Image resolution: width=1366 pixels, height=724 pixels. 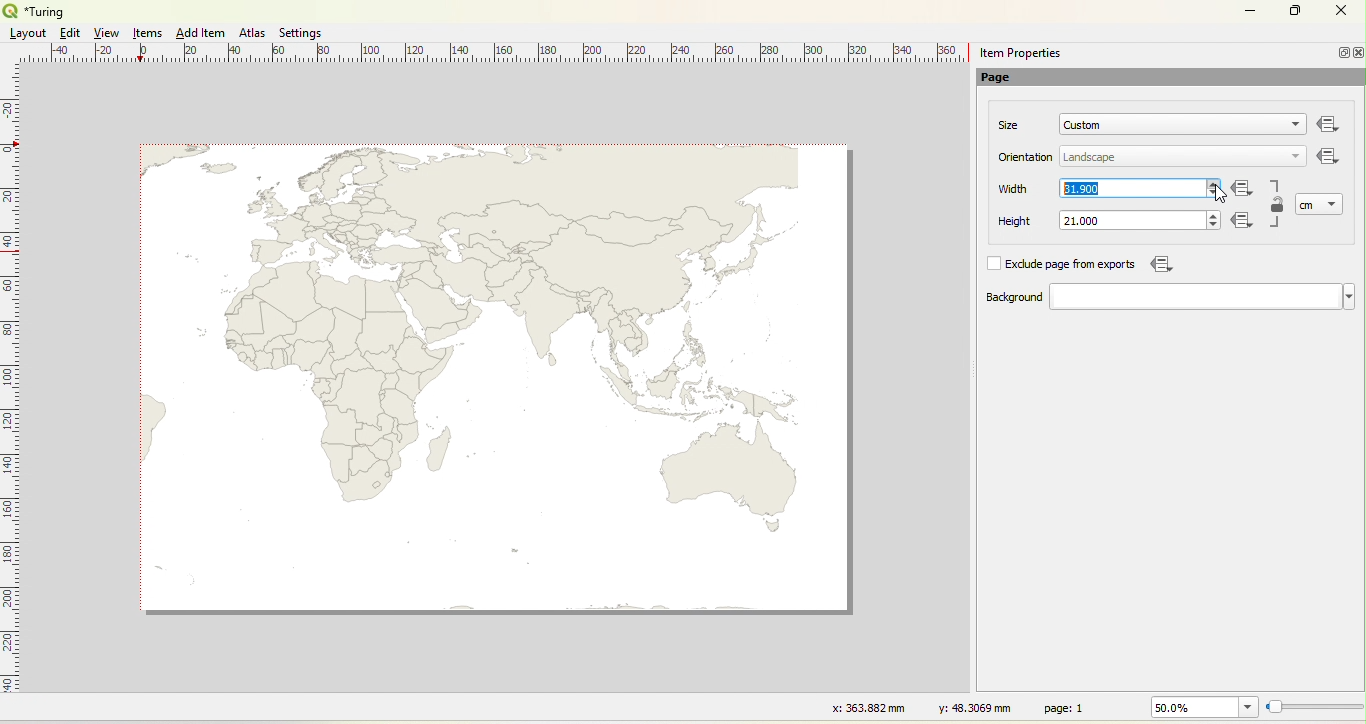 I want to click on Height, so click(x=1002, y=222).